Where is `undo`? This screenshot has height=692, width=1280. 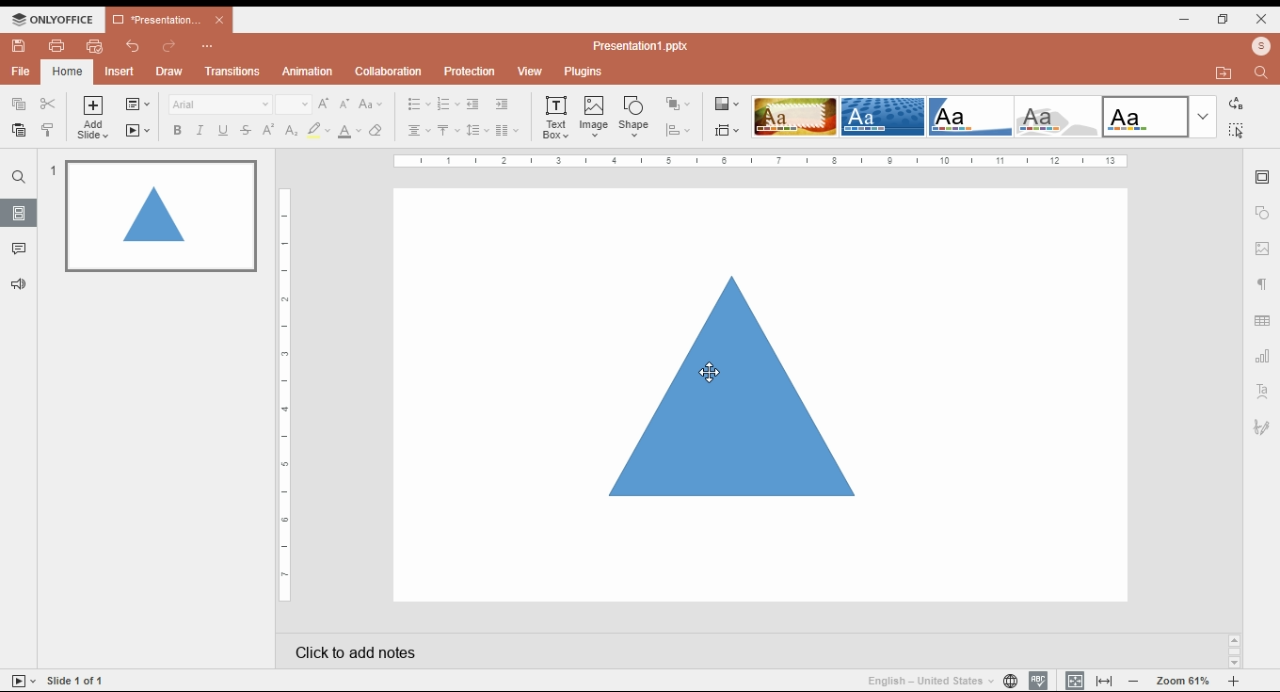 undo is located at coordinates (133, 46).